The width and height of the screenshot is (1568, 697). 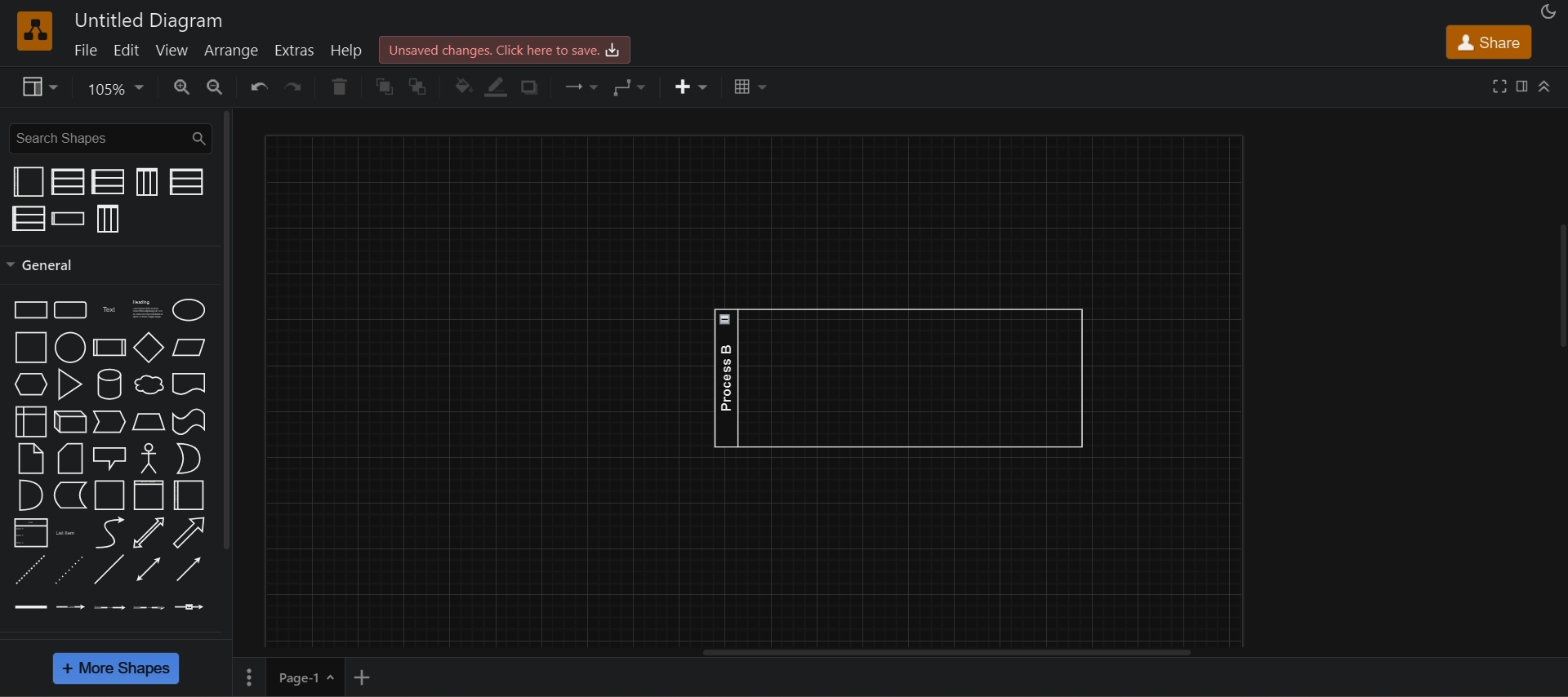 What do you see at coordinates (189, 347) in the screenshot?
I see `parallelogram` at bounding box center [189, 347].